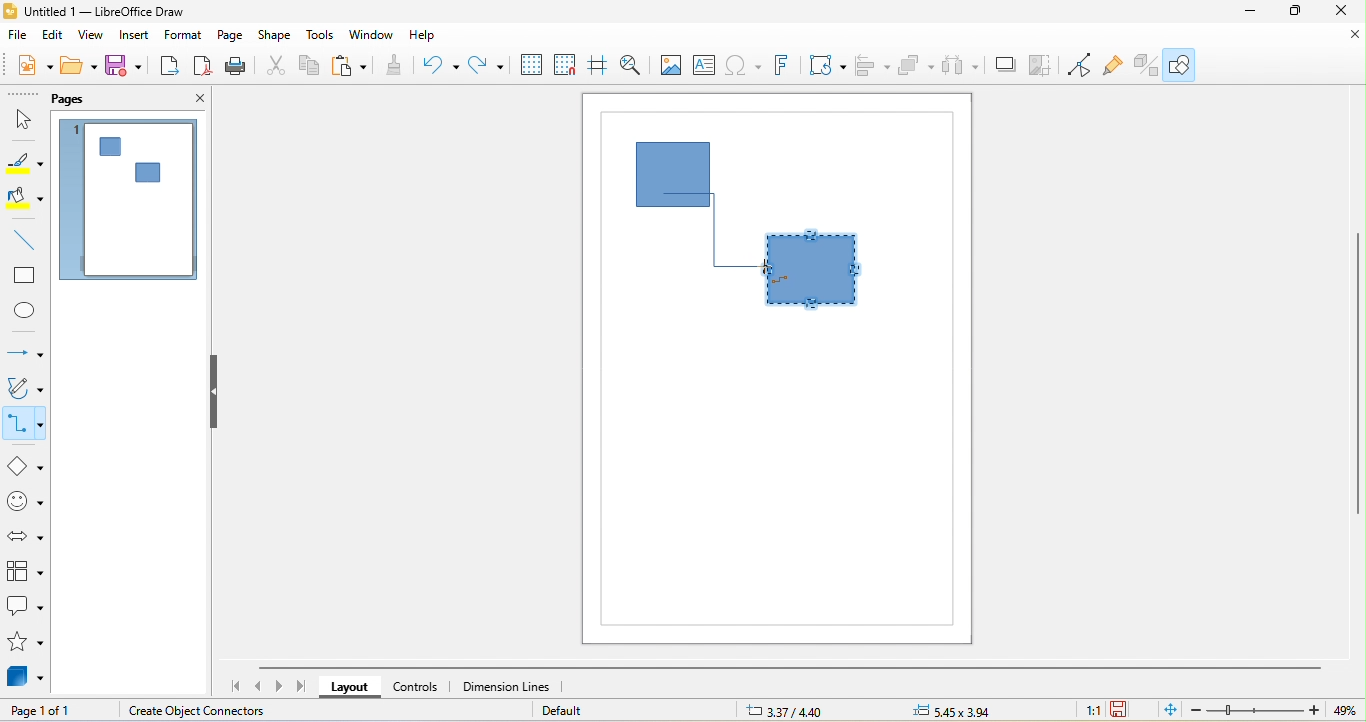 This screenshot has height=722, width=1366. Describe the element at coordinates (25, 198) in the screenshot. I see `fill color` at that location.